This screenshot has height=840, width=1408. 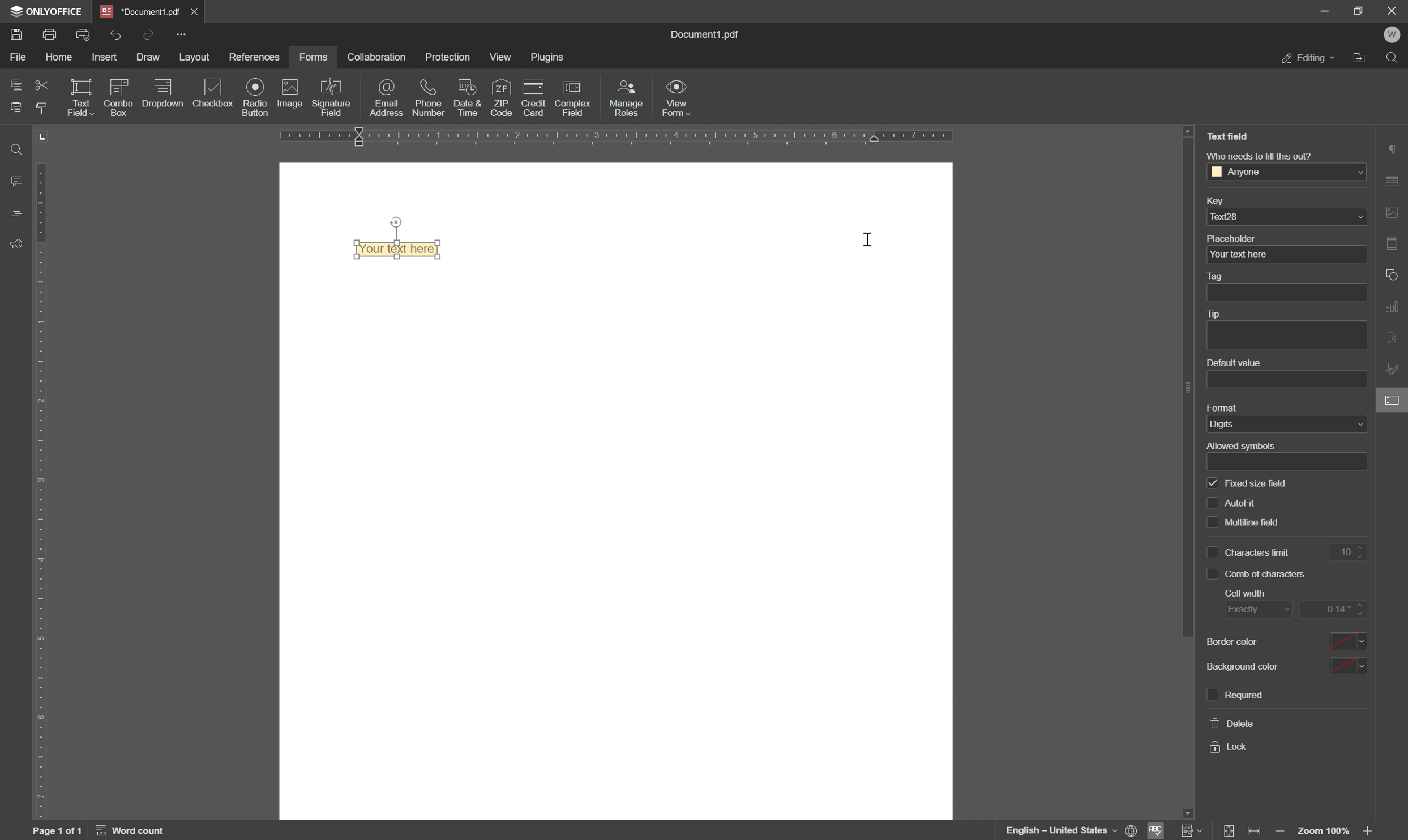 I want to click on scroll bar, so click(x=1188, y=388).